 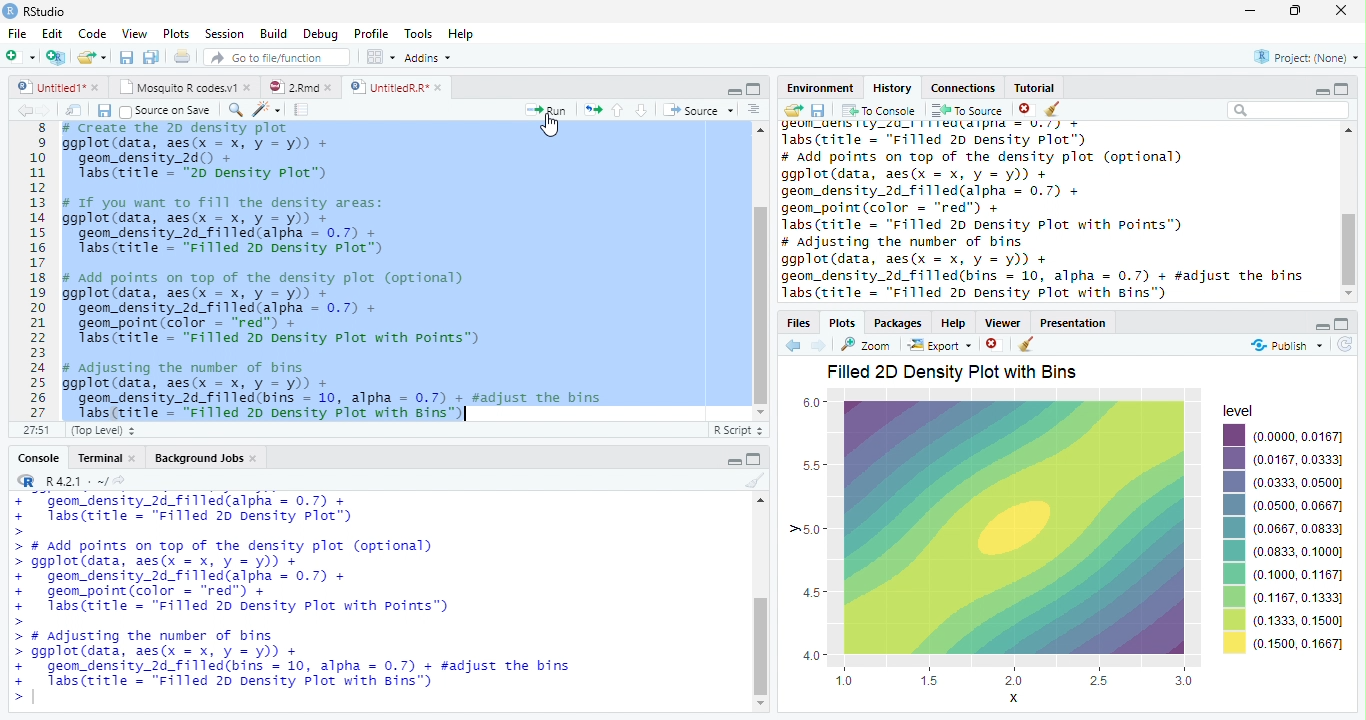 What do you see at coordinates (361, 600) in the screenshot?
I see `+ geom_density_cd_rilled(aipha = 0.7) +
+ labs(title = "Filled 20 Density Plot”)

>

> # Add points on top of the density plot (optional)

> ggplot(data, aes(x = x, y = y)) +

+ geom_density_2d_filled(alpha = 0.7) +

+ geom_point(color = "red”) +

+ labs(title = "Filled 20 Density Plot with Points”)

>

> # Adjusting the number of bins

> ggplot(data, aes(x = x, y = y)) +

+ geom_density_2d_filled(bins = 10, alpha = 0.7) + #adjust the bins
+ labs(title = "Filled 20 Density Plot with Bins")

>` at bounding box center [361, 600].